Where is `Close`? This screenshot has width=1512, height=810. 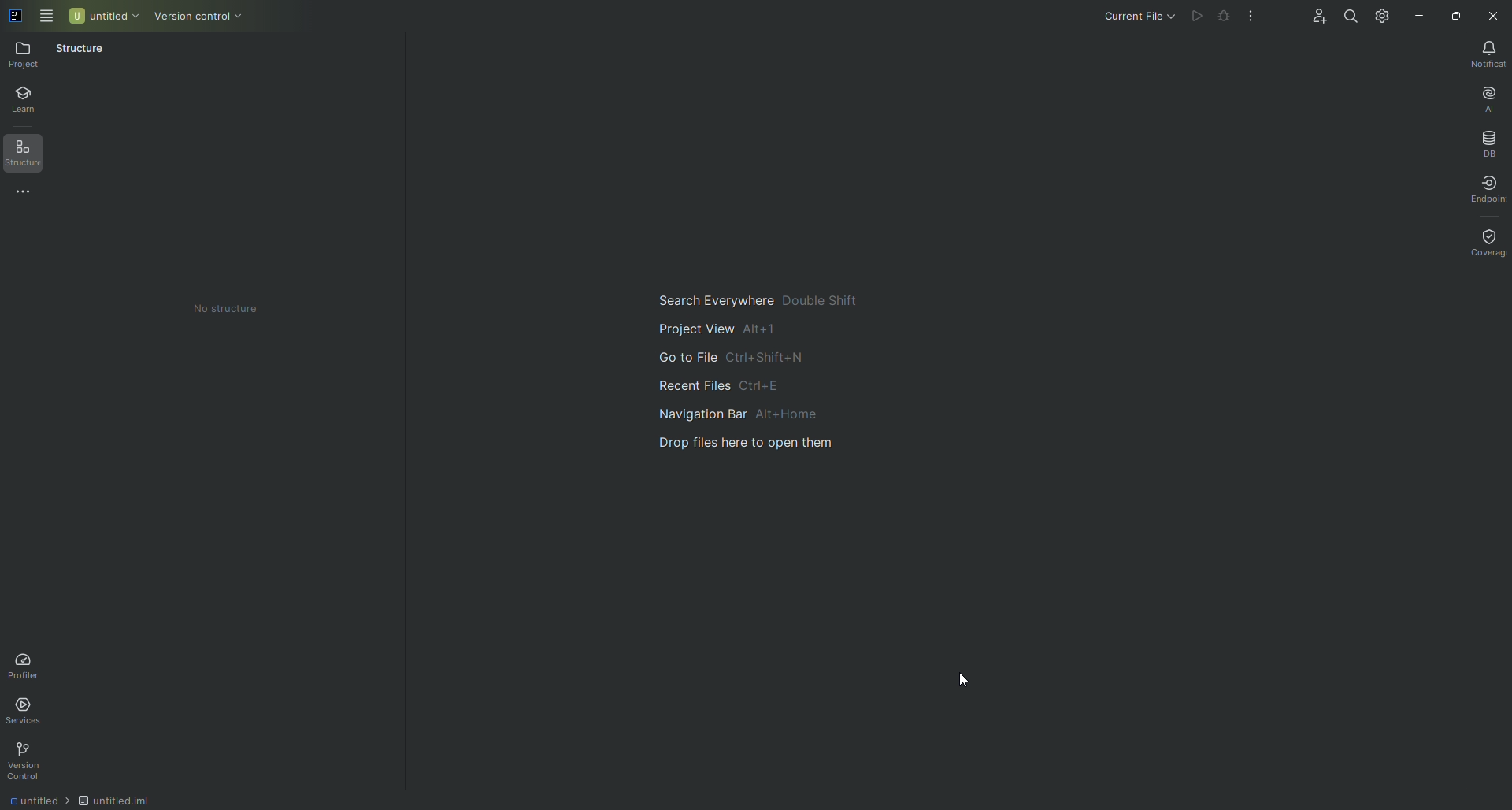 Close is located at coordinates (1492, 17).